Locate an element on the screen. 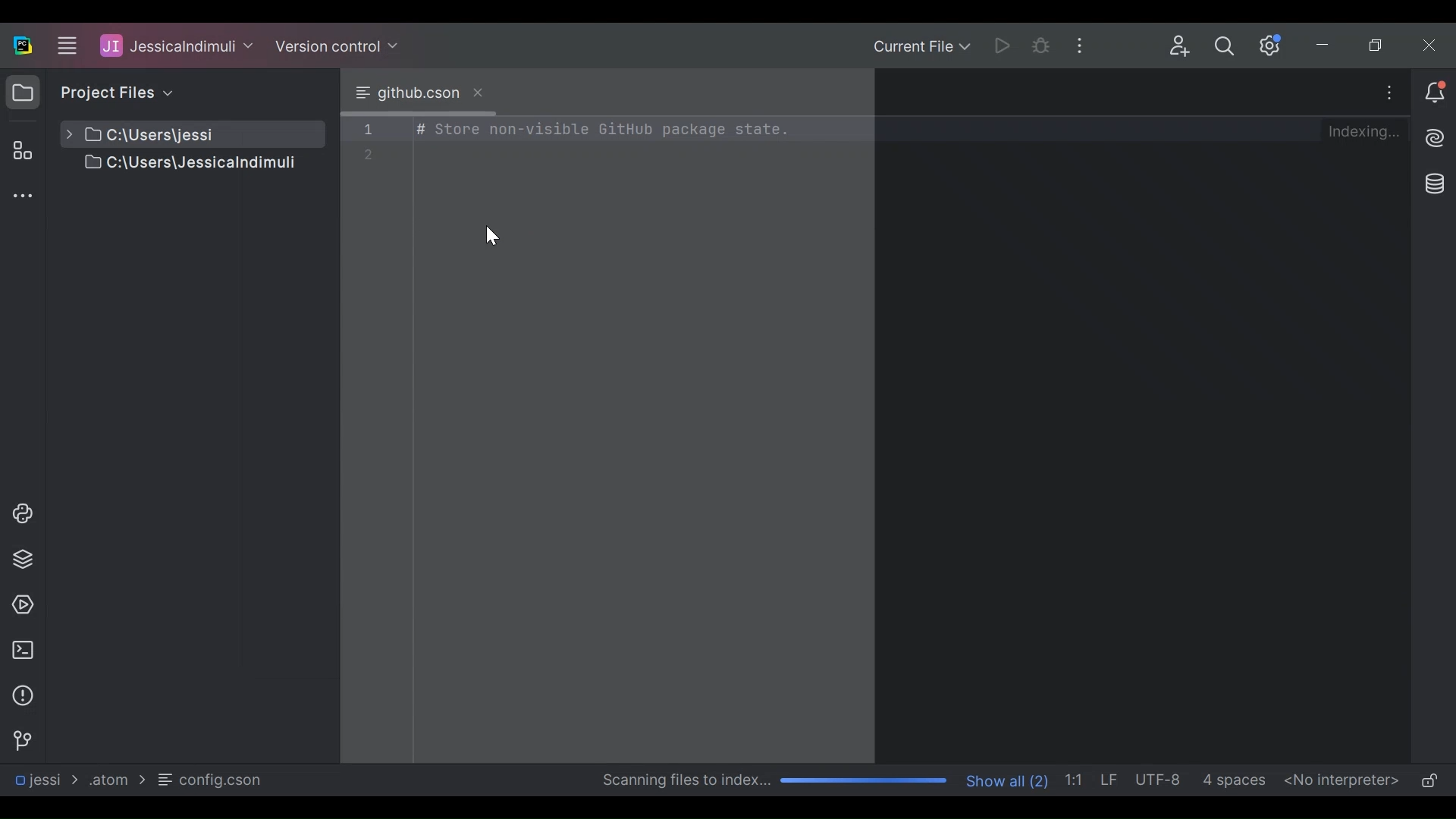  (un)lock is located at coordinates (1429, 782).